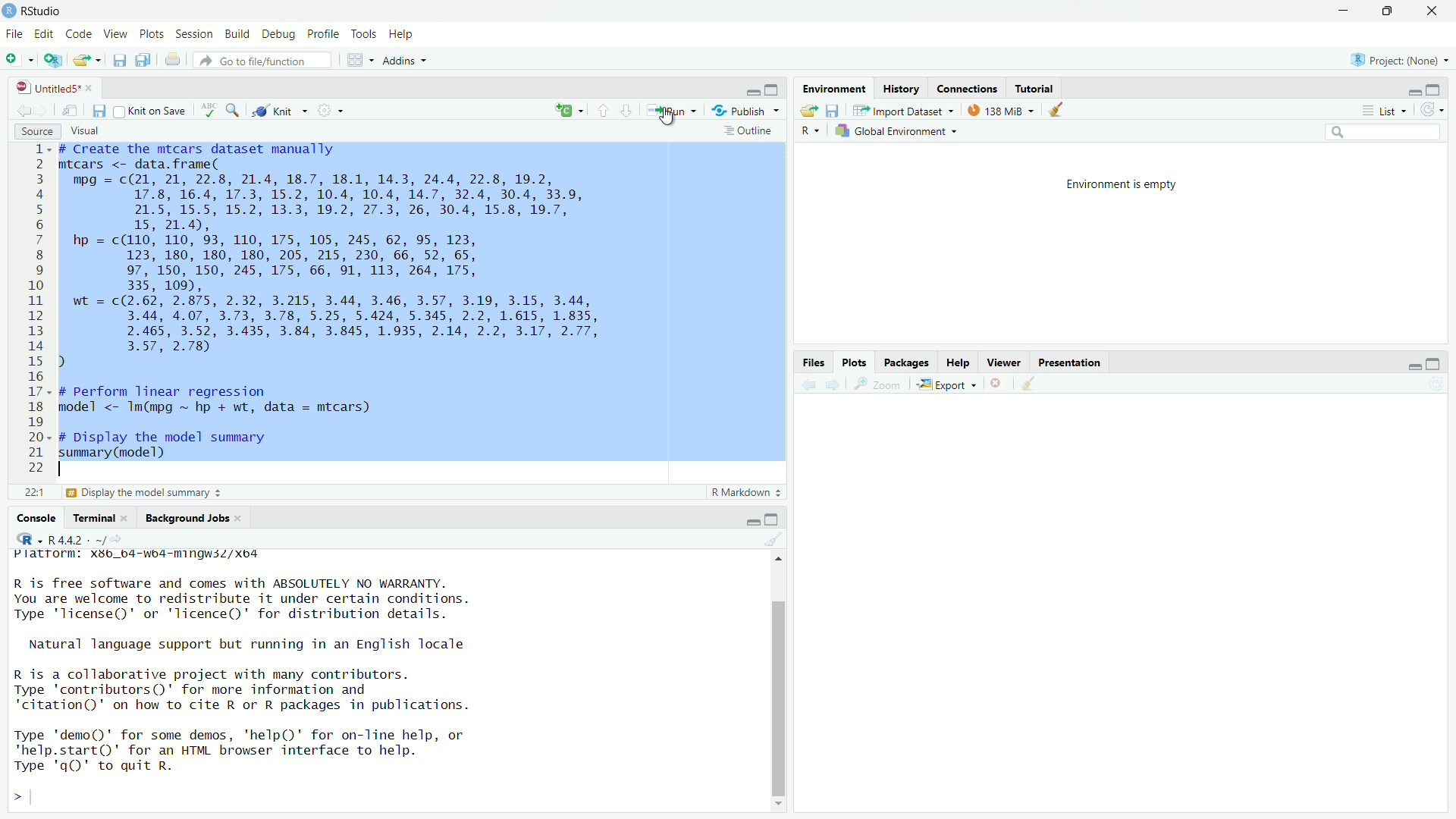  Describe the element at coordinates (567, 110) in the screenshot. I see `insert new code chunk` at that location.